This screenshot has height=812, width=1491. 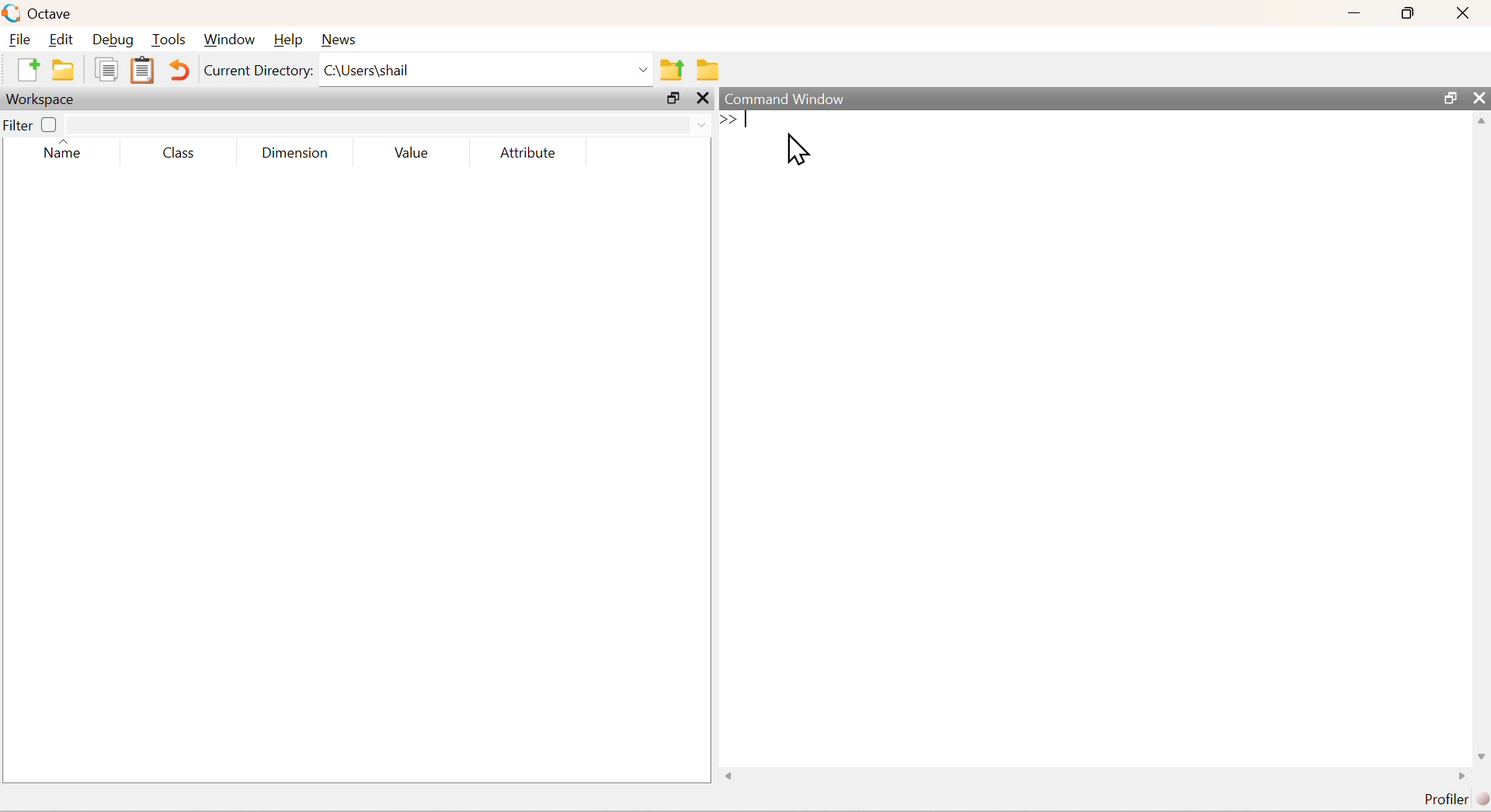 What do you see at coordinates (1452, 800) in the screenshot?
I see `Profiler` at bounding box center [1452, 800].